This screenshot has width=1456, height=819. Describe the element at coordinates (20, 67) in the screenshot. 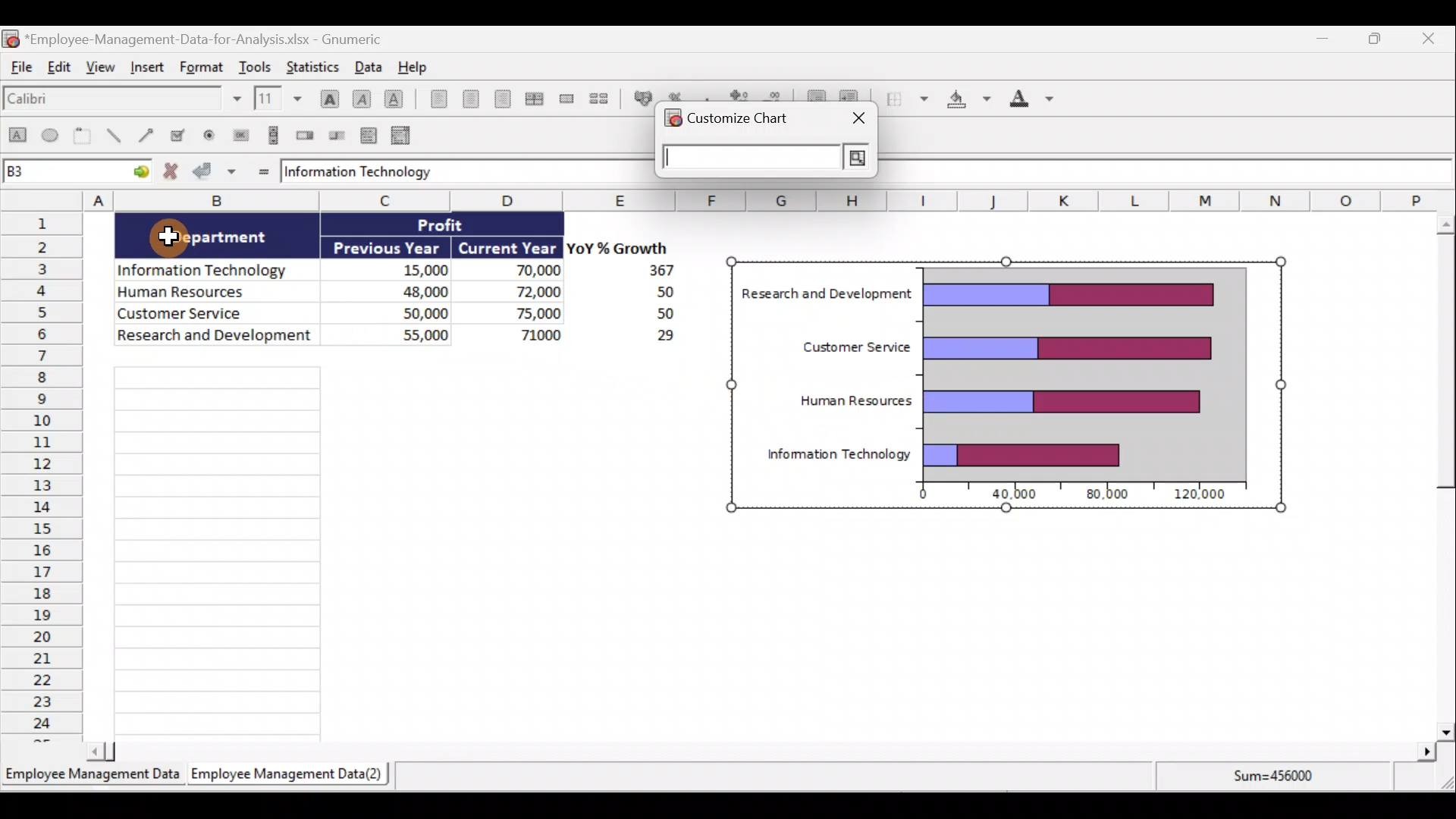

I see `File` at that location.